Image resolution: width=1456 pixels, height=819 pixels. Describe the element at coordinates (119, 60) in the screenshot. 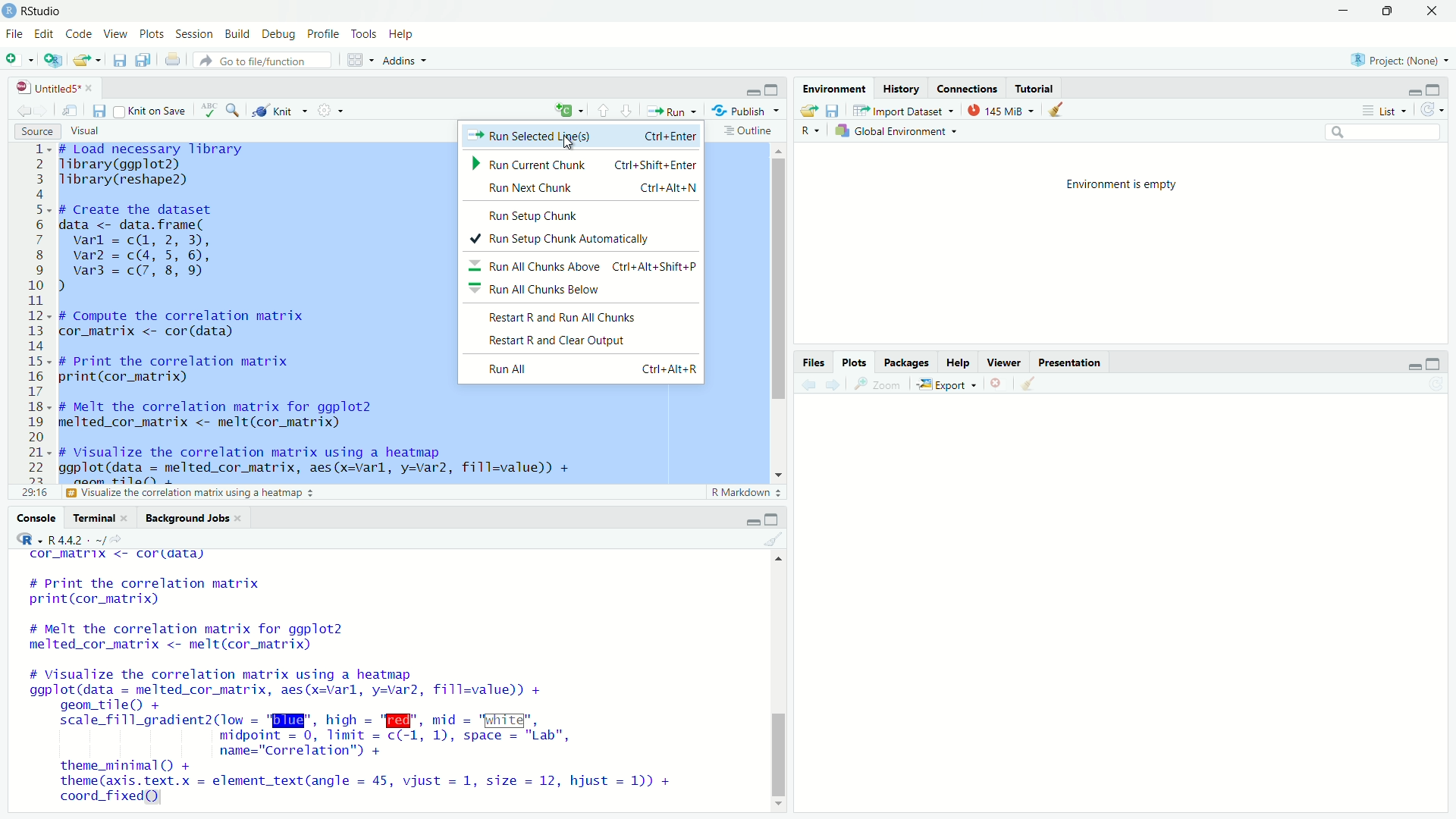

I see `save current file` at that location.